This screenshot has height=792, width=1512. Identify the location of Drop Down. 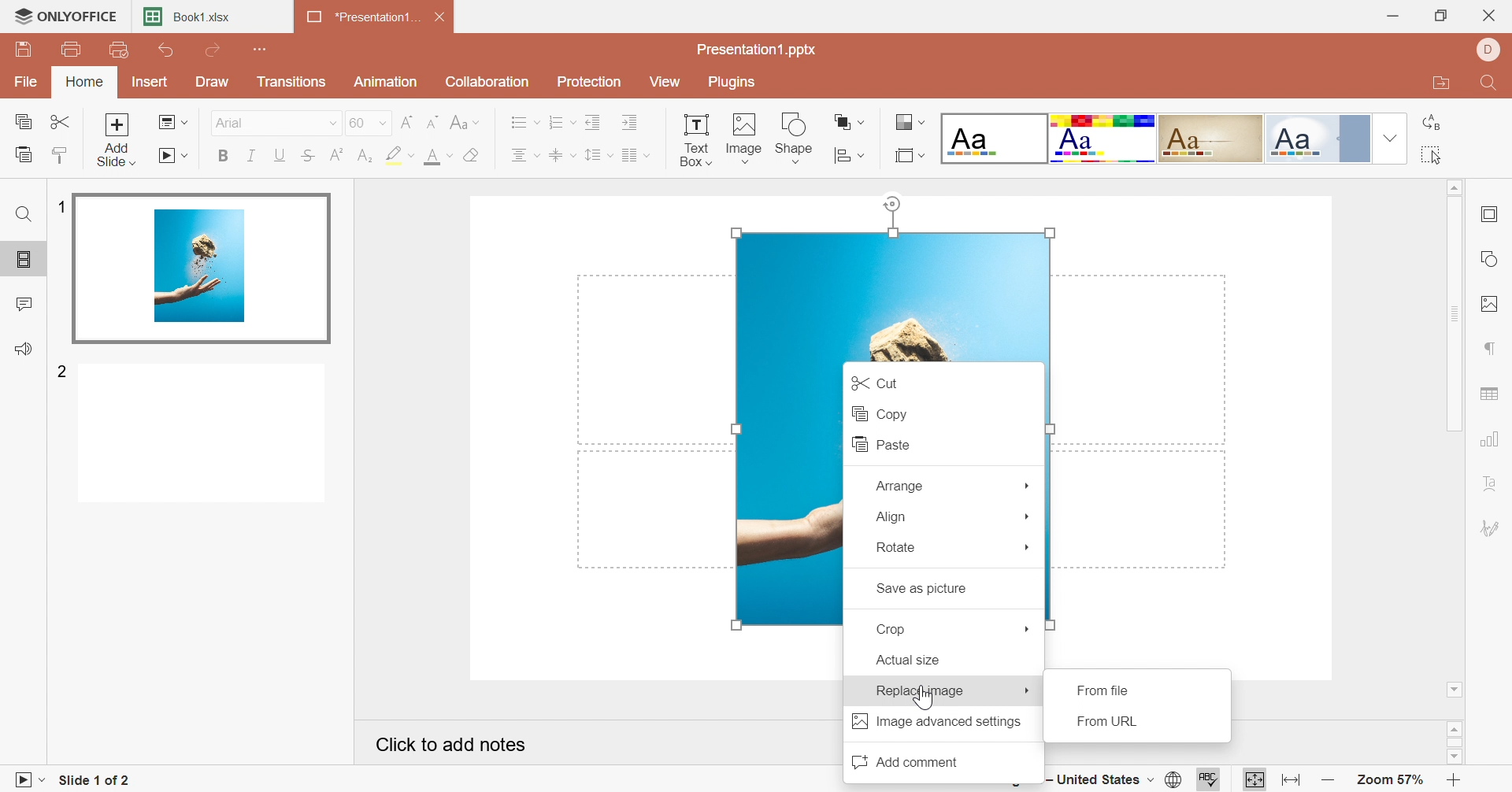
(329, 123).